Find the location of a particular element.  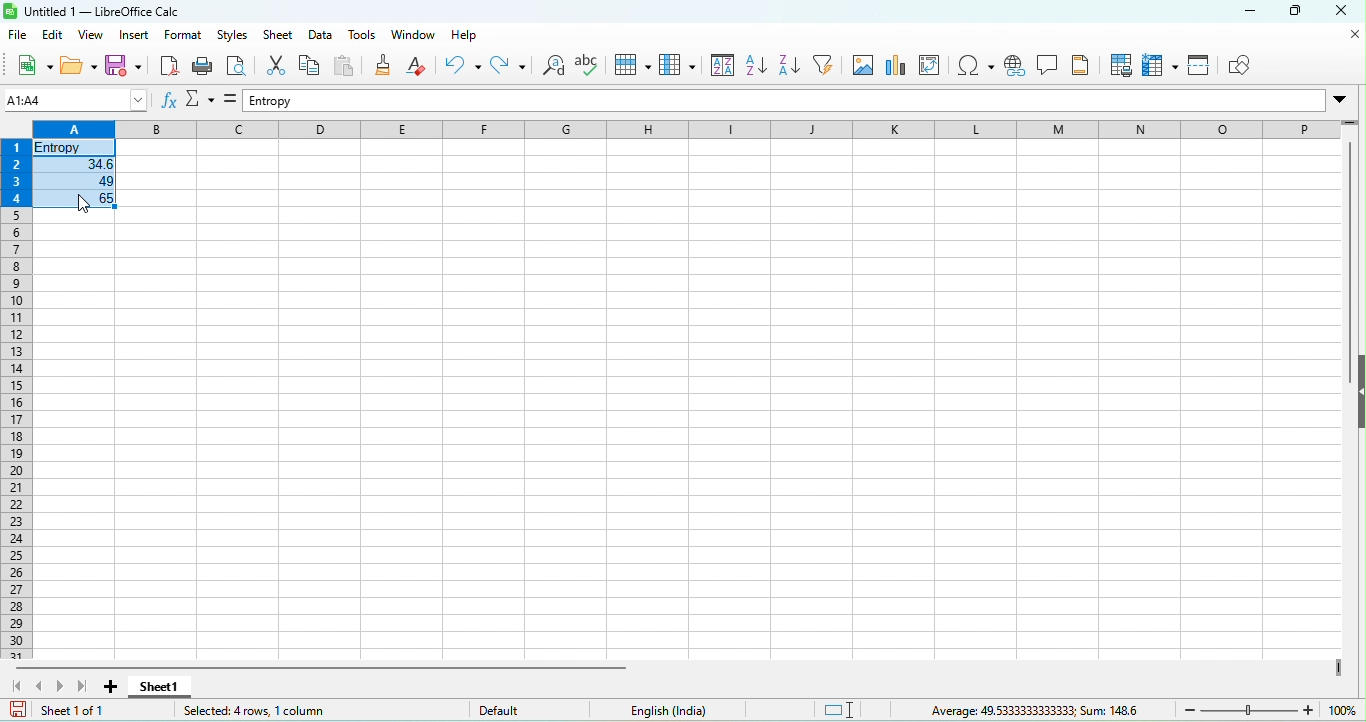

insert a comment is located at coordinates (1052, 67).